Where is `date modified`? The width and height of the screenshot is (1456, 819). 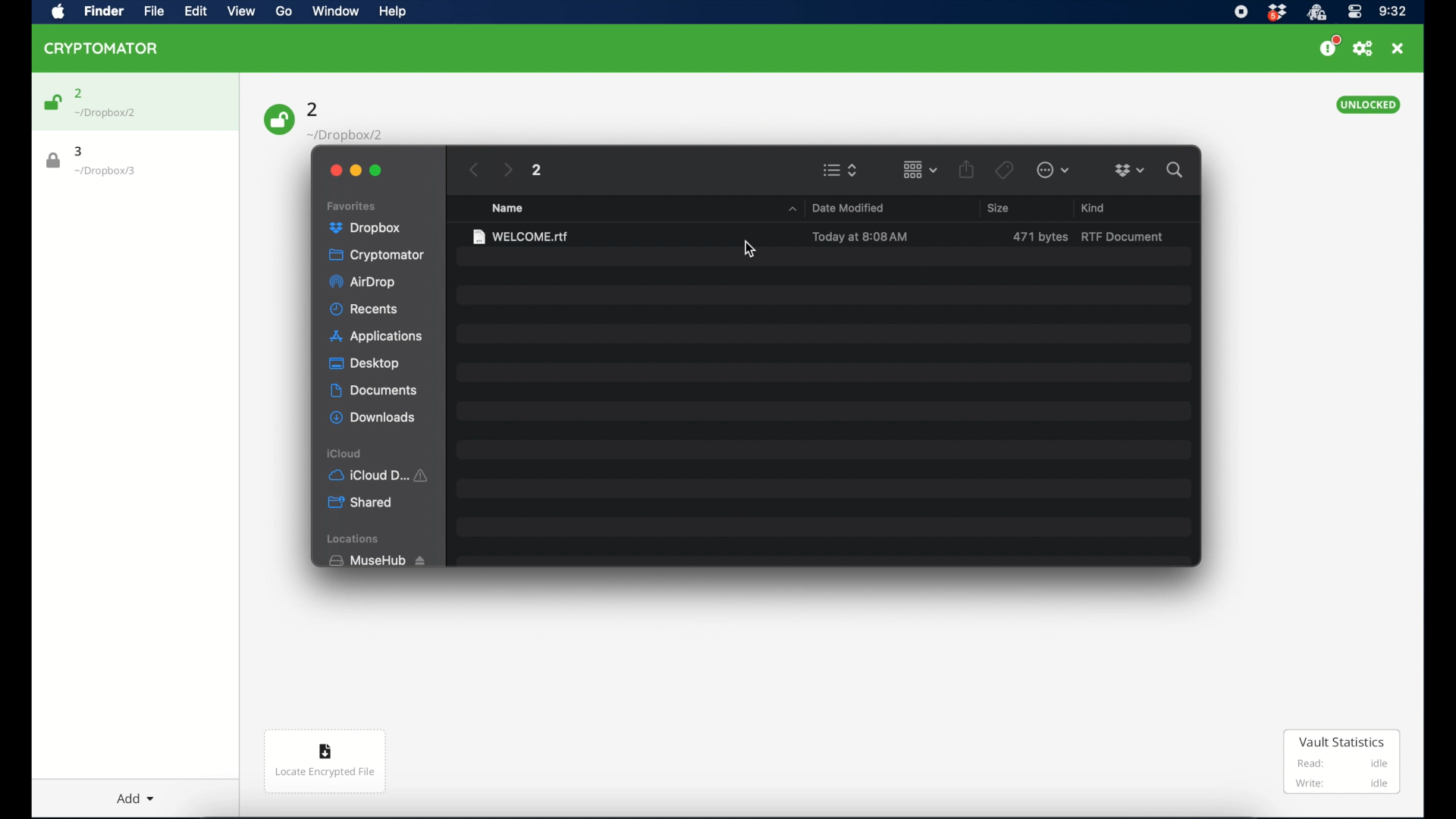
date modified is located at coordinates (848, 208).